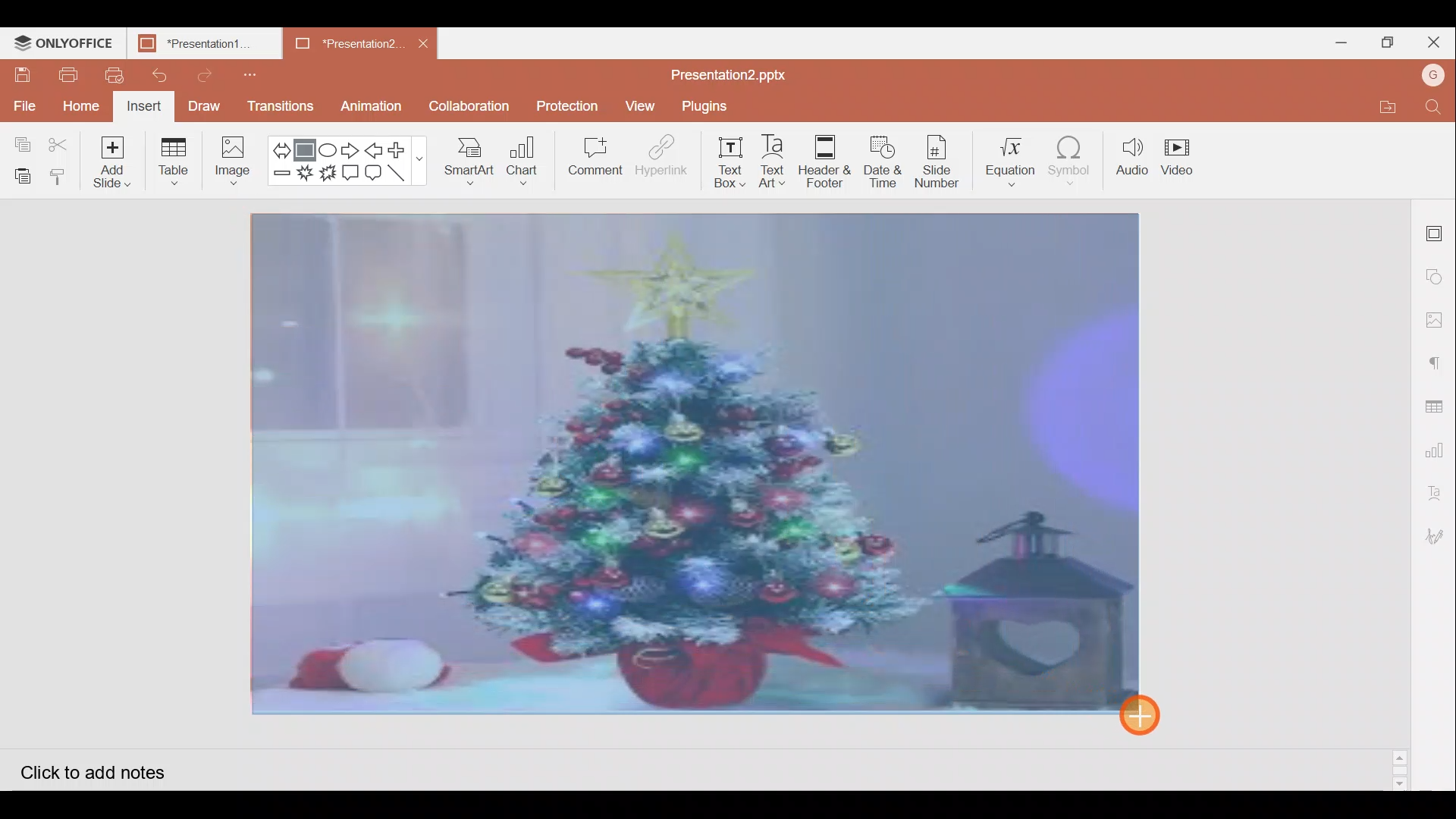 This screenshot has height=819, width=1456. Describe the element at coordinates (351, 148) in the screenshot. I see `Right arrow` at that location.